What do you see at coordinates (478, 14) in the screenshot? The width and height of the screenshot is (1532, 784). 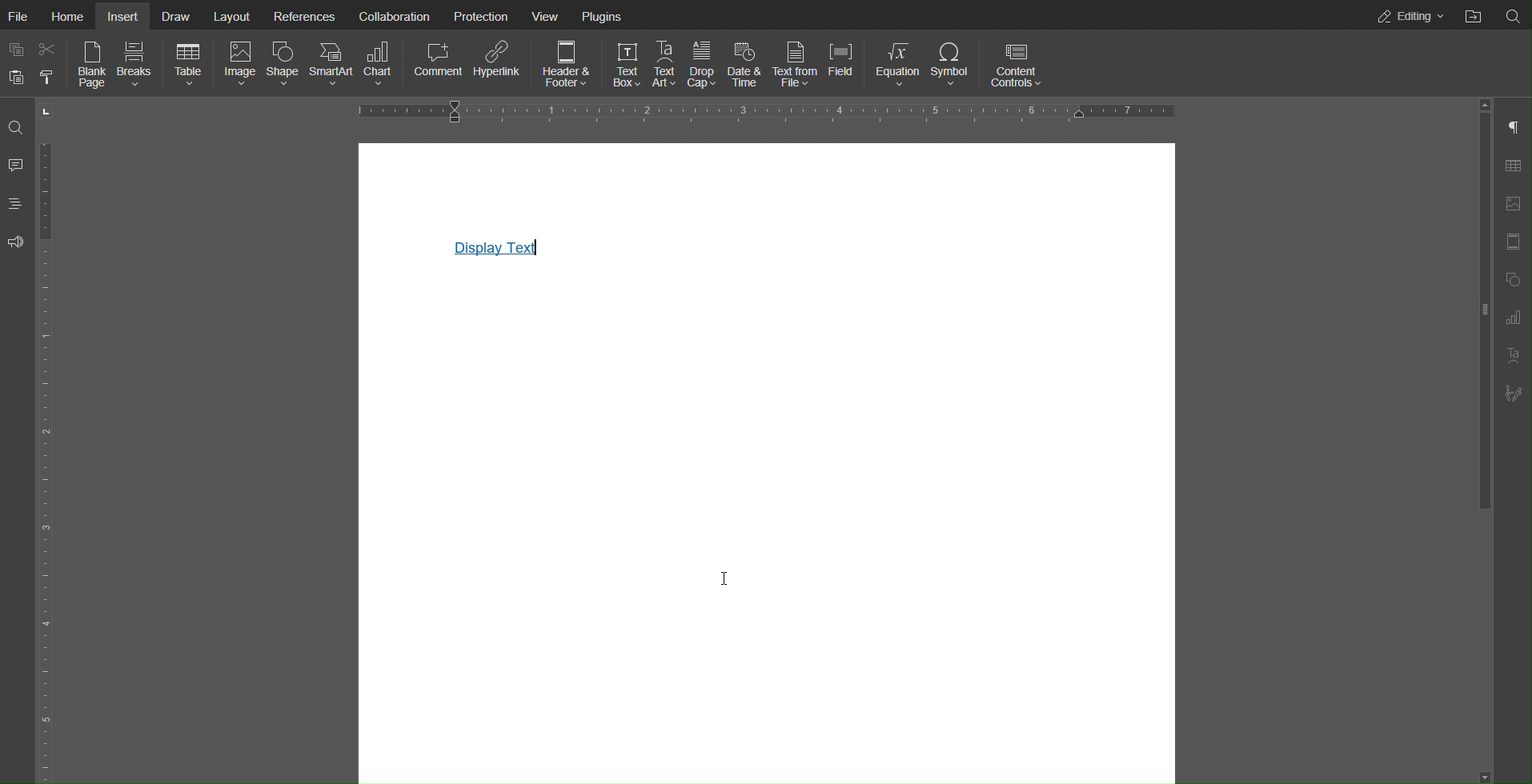 I see `Protection` at bounding box center [478, 14].